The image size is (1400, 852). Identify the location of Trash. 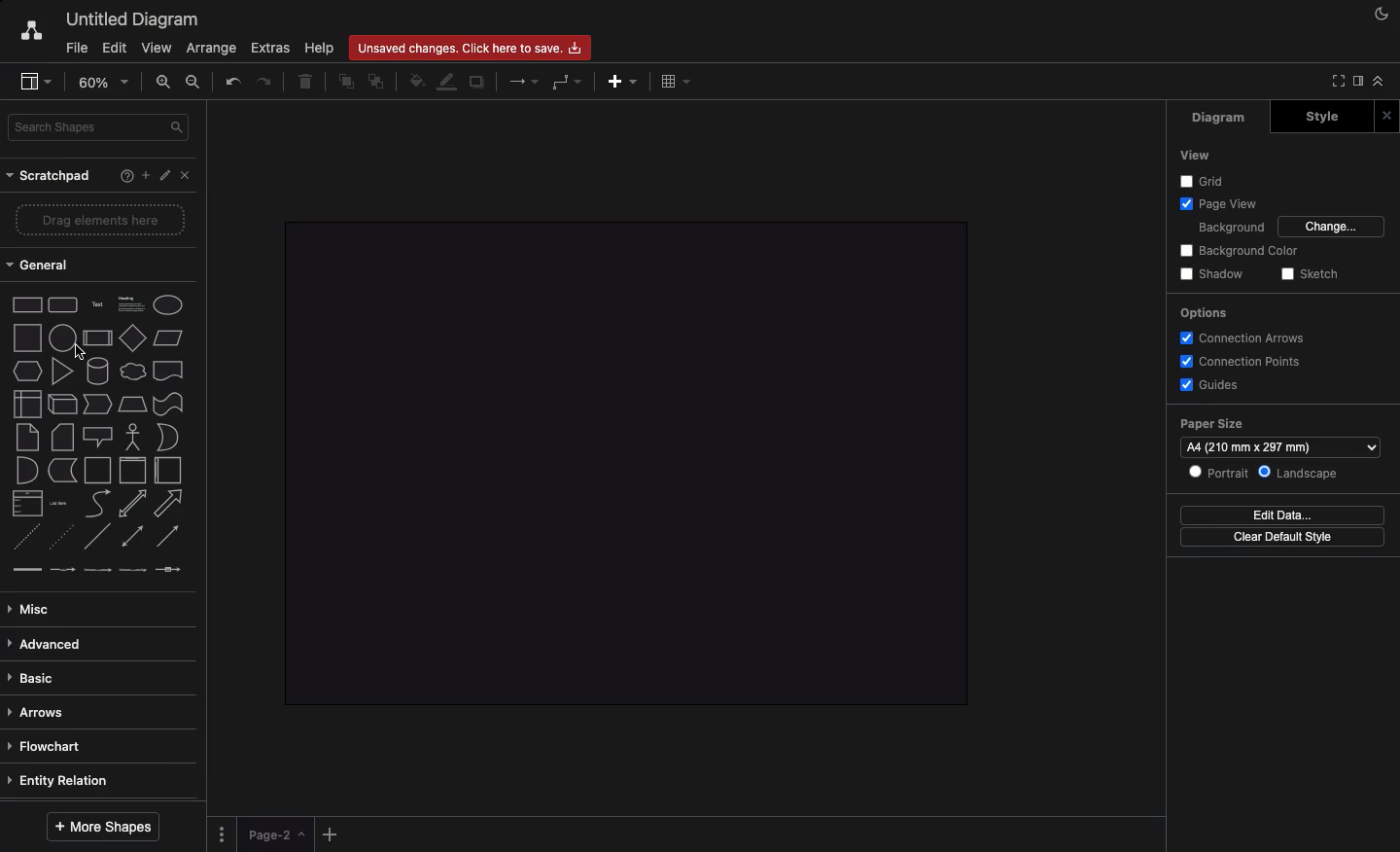
(305, 84).